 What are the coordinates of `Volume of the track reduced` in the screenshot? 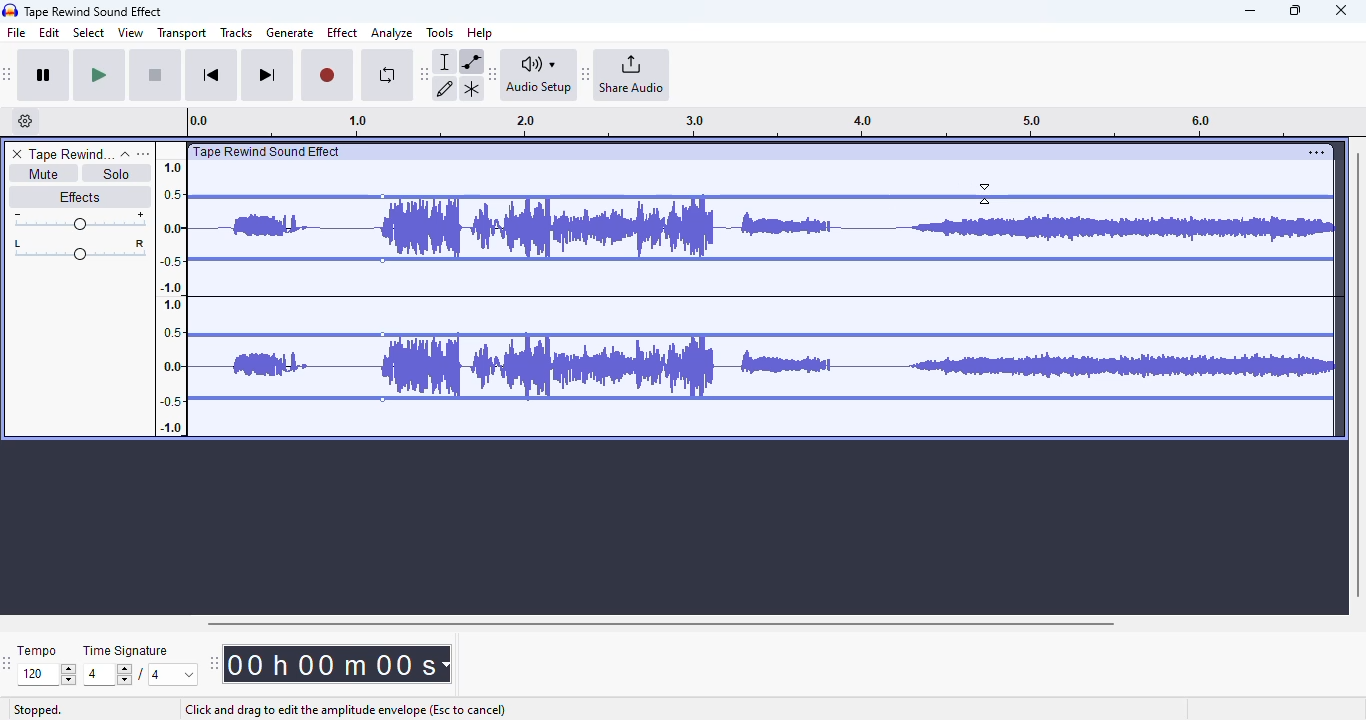 It's located at (280, 290).